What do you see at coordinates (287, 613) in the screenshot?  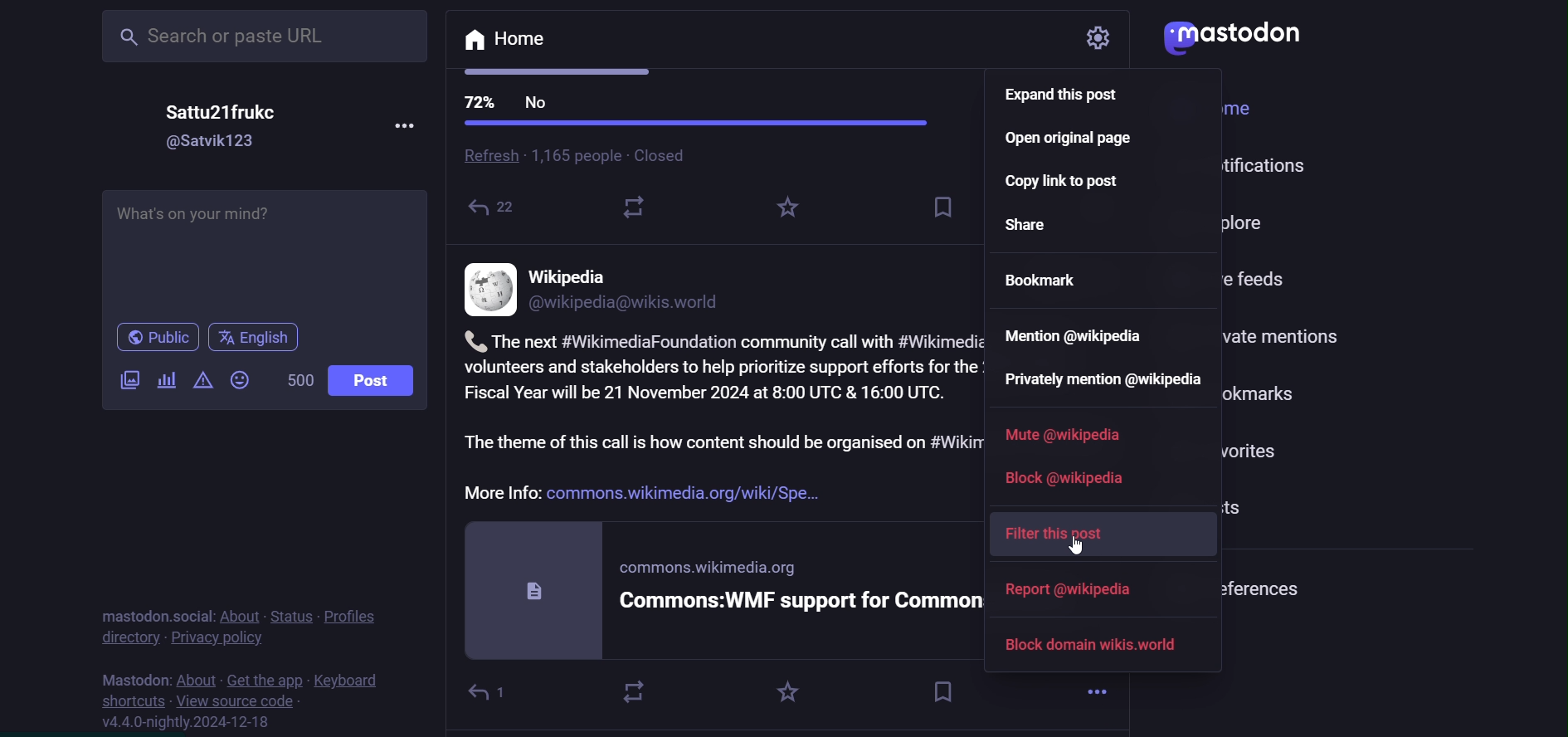 I see `status` at bounding box center [287, 613].